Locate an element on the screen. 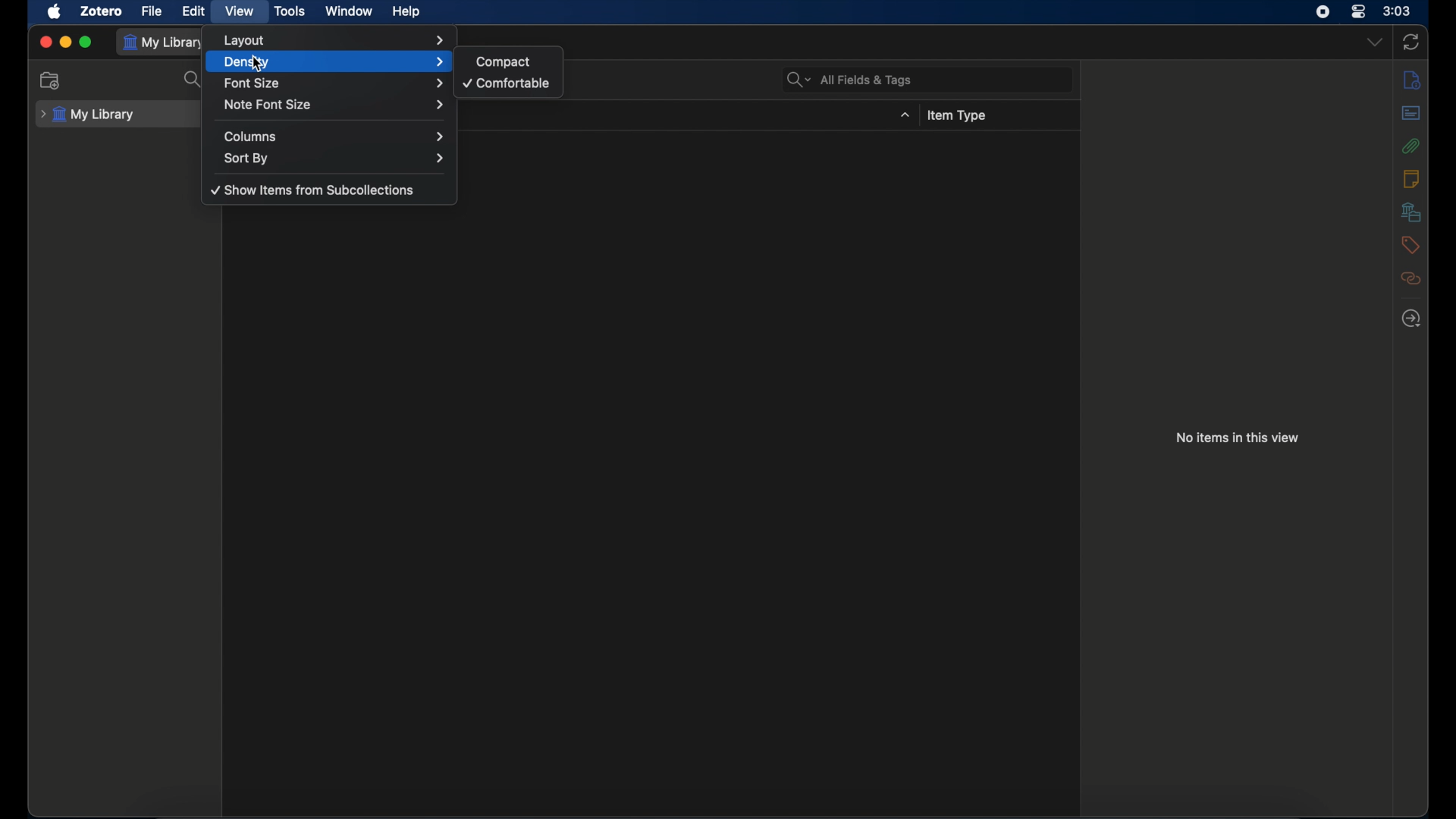 Image resolution: width=1456 pixels, height=819 pixels. columns is located at coordinates (335, 136).